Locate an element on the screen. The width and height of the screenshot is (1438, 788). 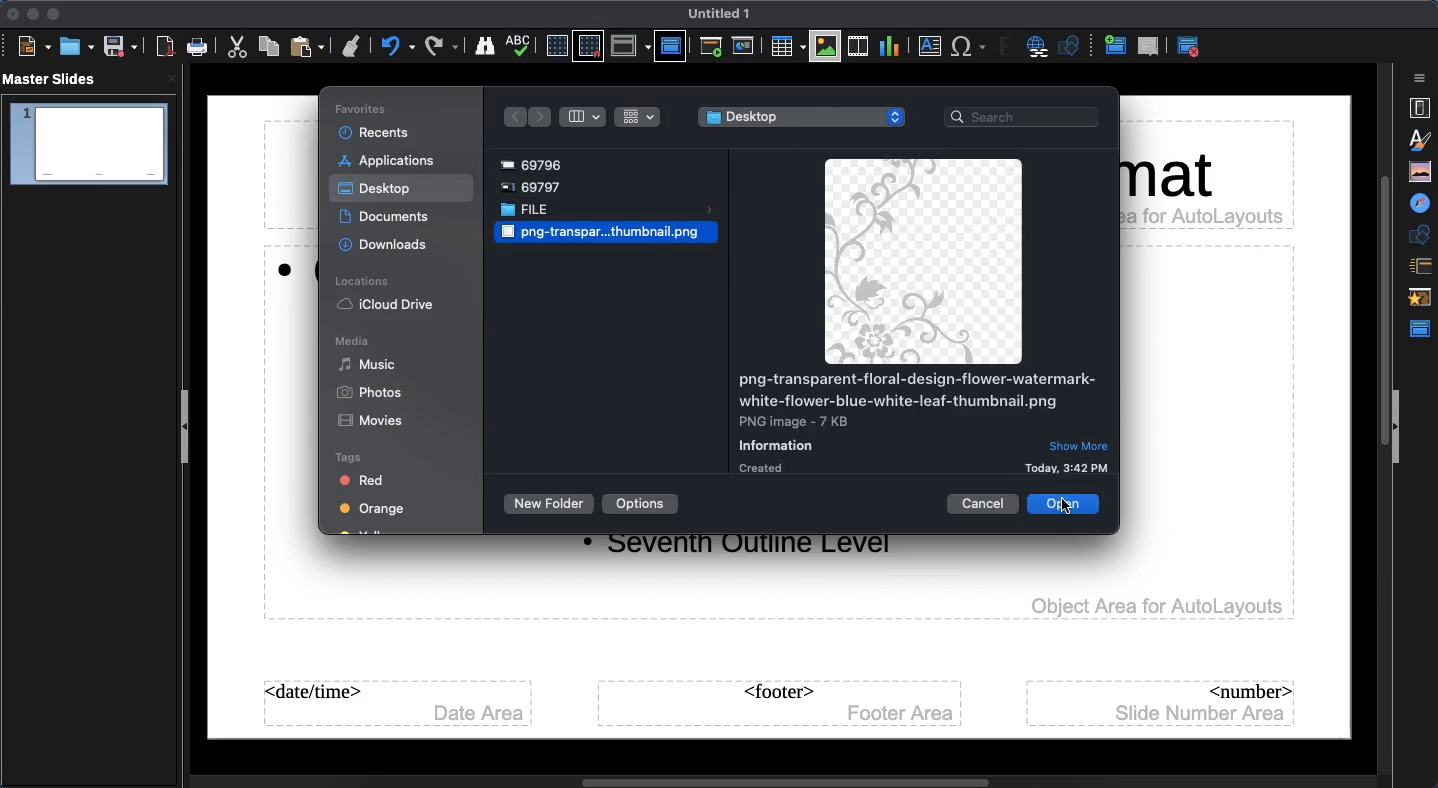
Display grid is located at coordinates (555, 45).